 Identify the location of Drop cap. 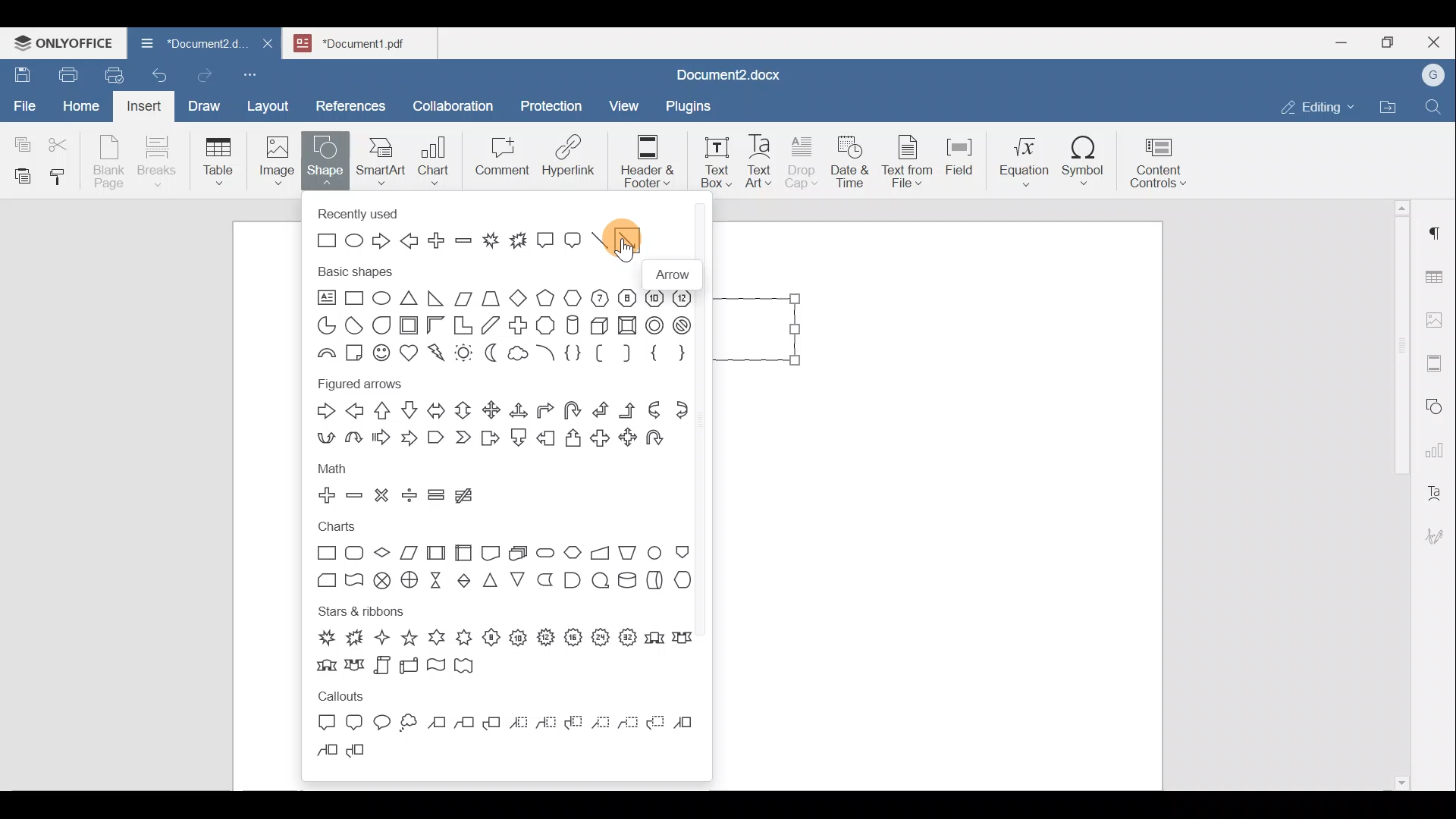
(805, 160).